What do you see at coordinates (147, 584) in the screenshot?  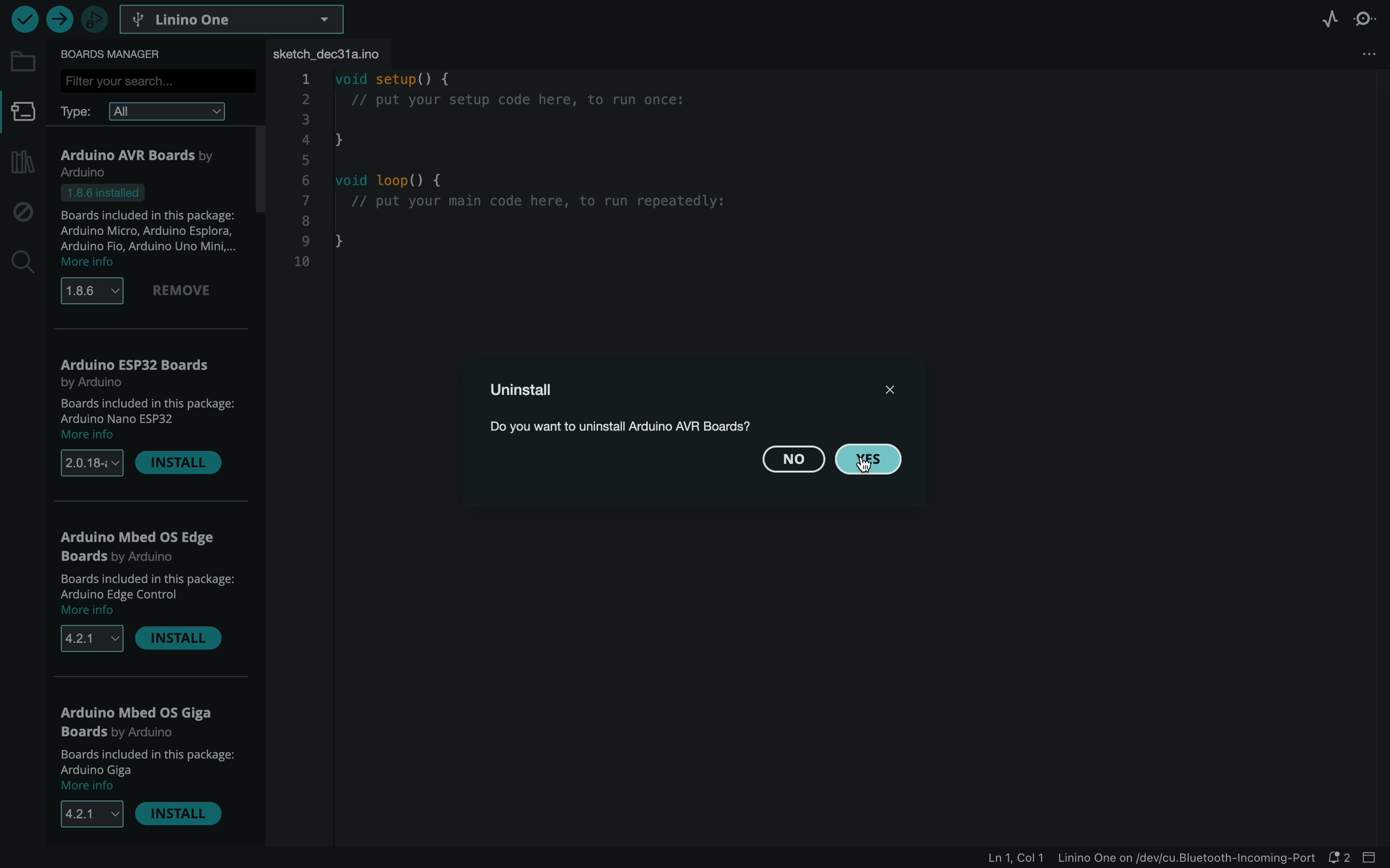 I see `description` at bounding box center [147, 584].